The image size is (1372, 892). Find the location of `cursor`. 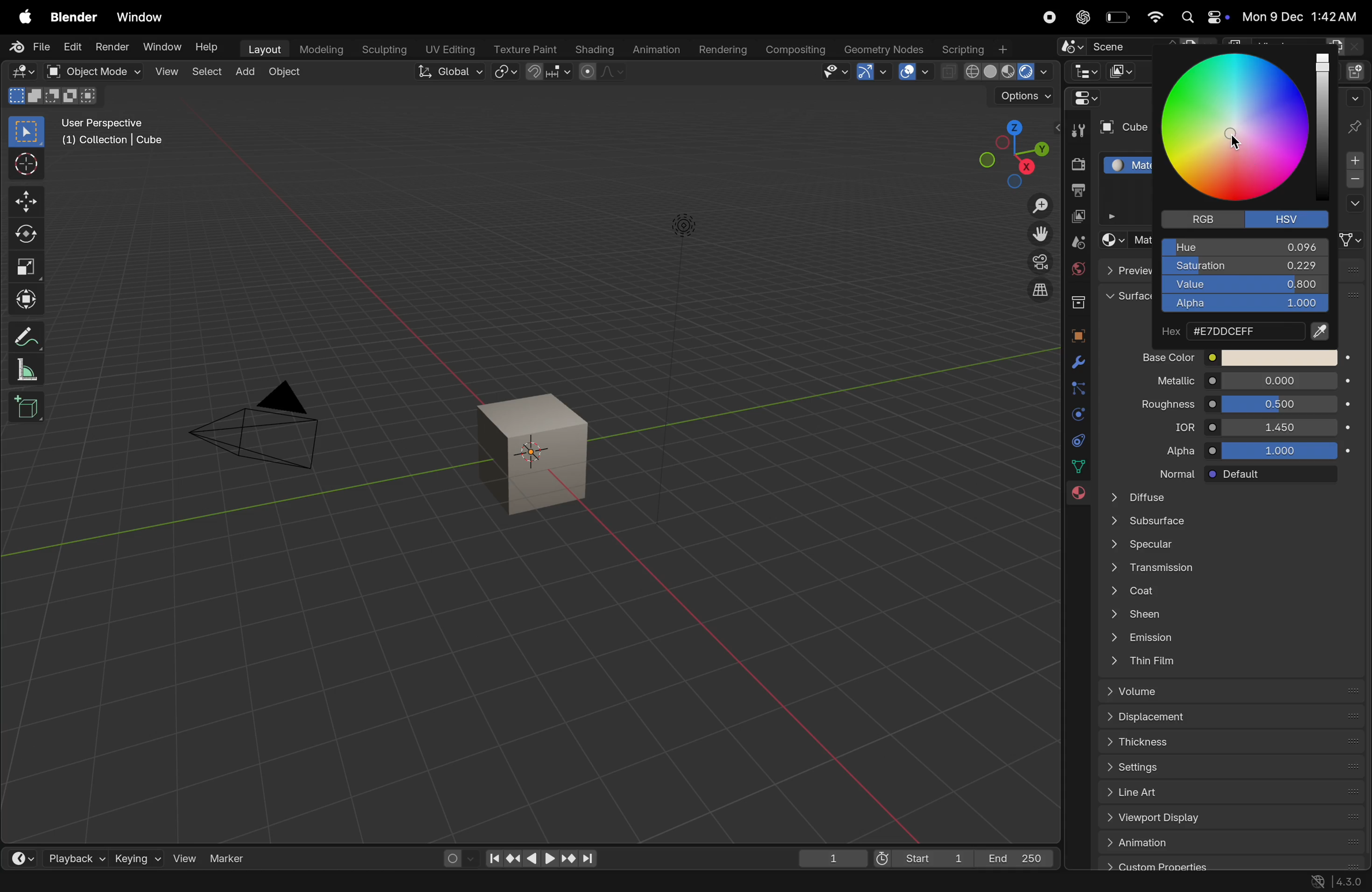

cursor is located at coordinates (1235, 143).